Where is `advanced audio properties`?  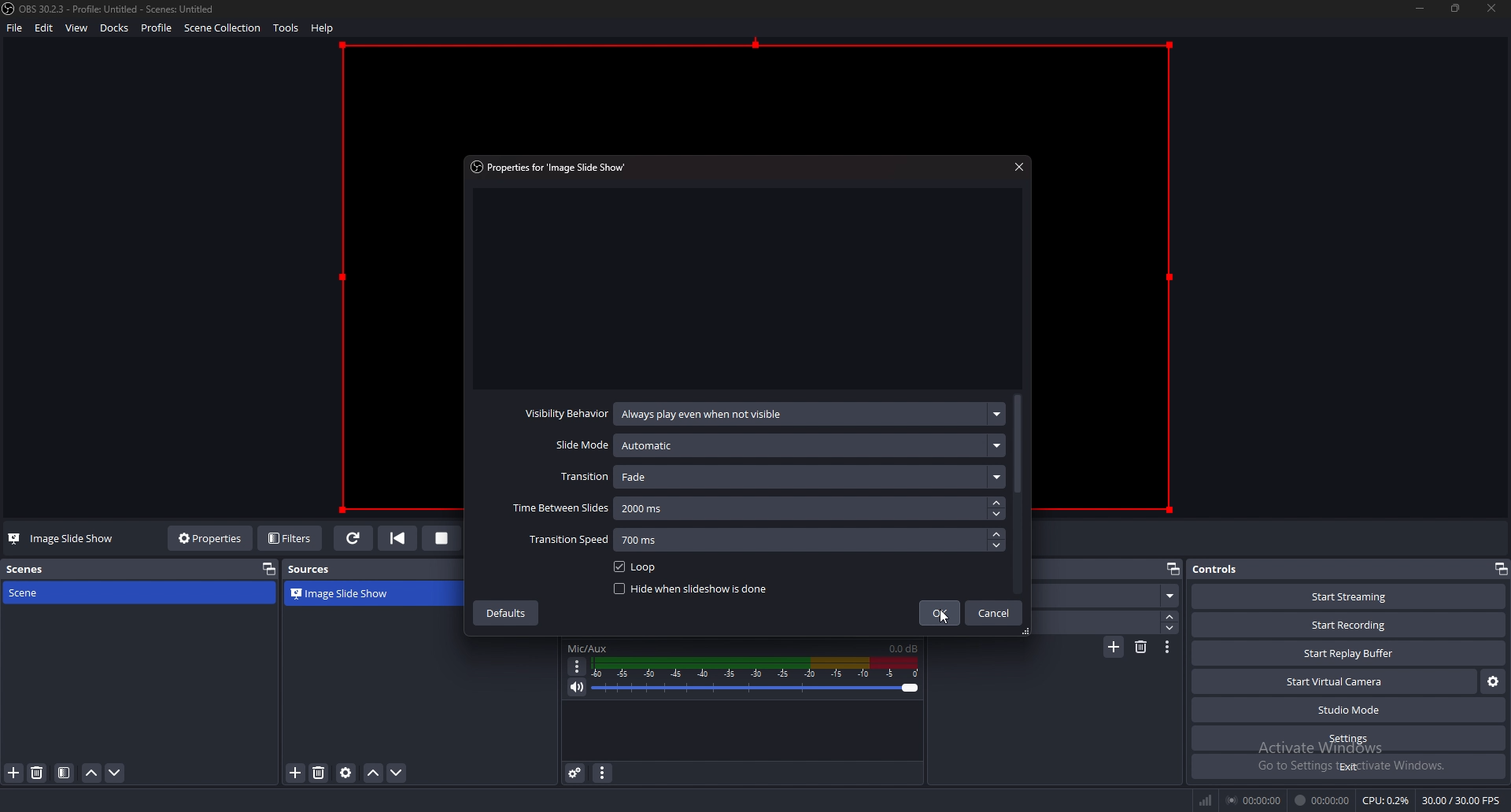
advanced audio properties is located at coordinates (574, 773).